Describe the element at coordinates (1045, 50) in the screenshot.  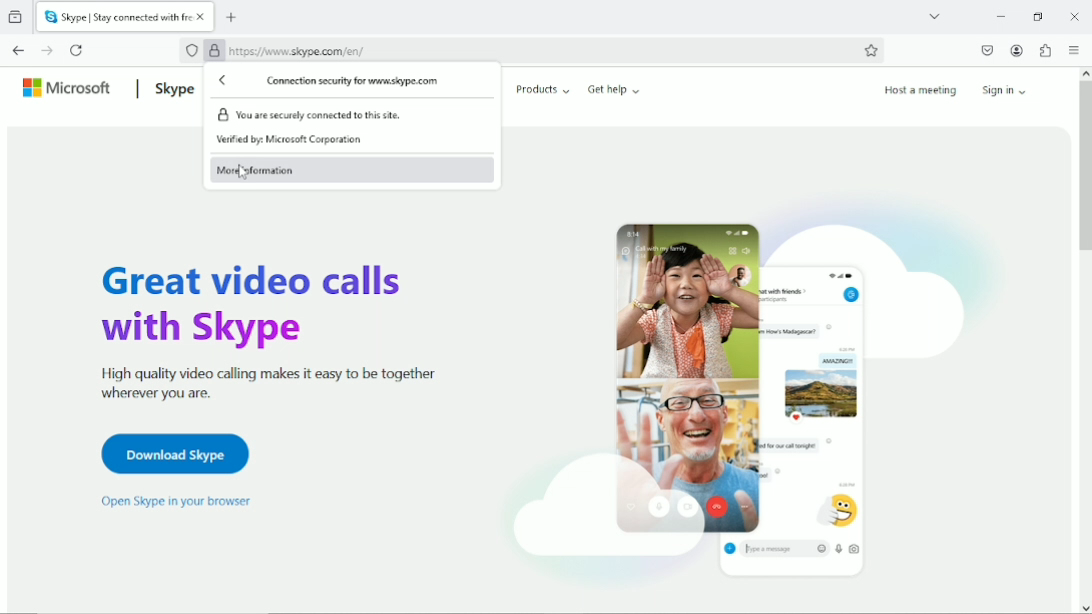
I see `Extensions` at that location.